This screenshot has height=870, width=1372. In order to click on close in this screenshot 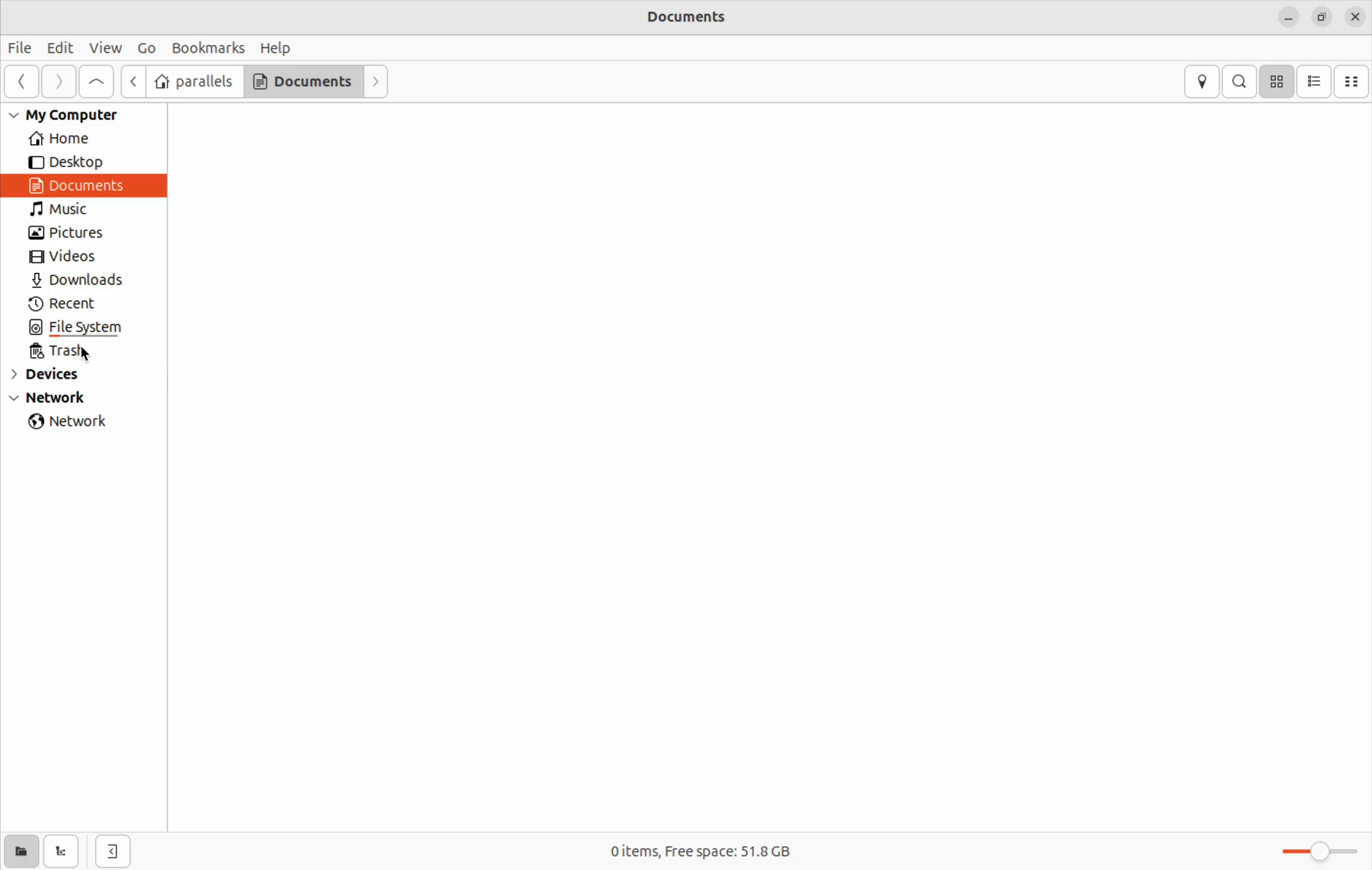, I will do `click(1354, 18)`.